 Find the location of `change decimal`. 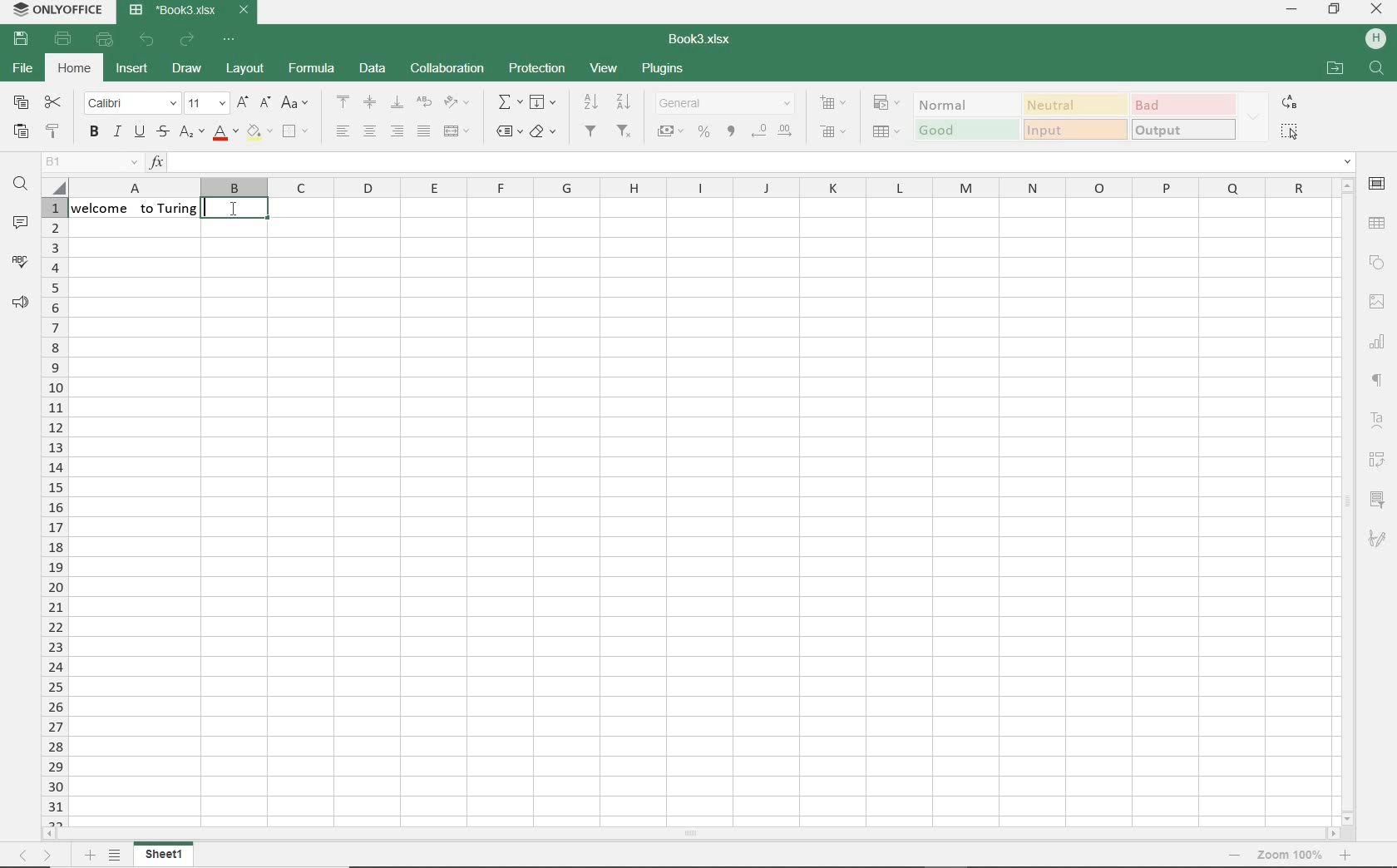

change decimal is located at coordinates (773, 131).